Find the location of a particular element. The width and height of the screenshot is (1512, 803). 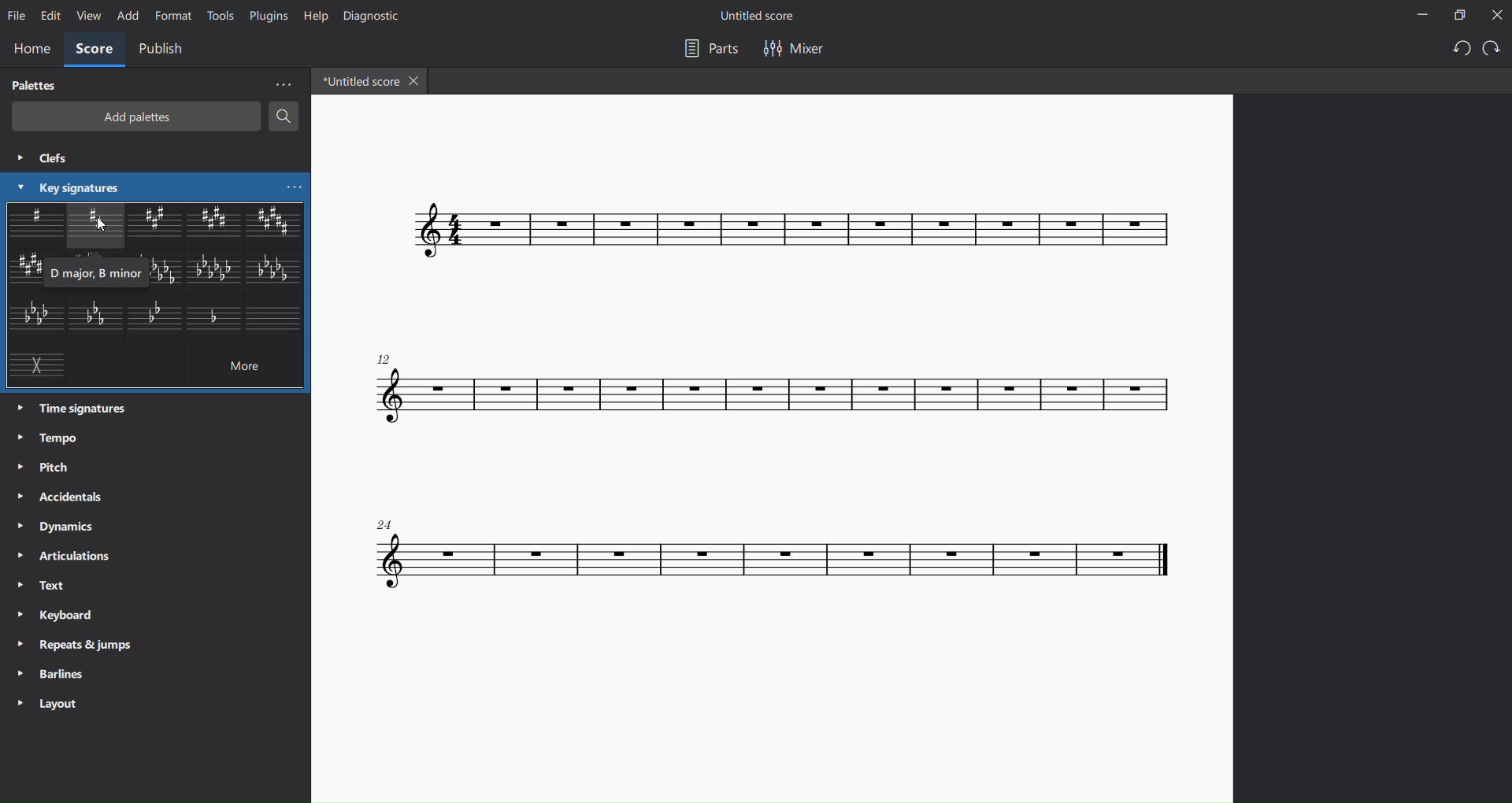

format is located at coordinates (172, 15).